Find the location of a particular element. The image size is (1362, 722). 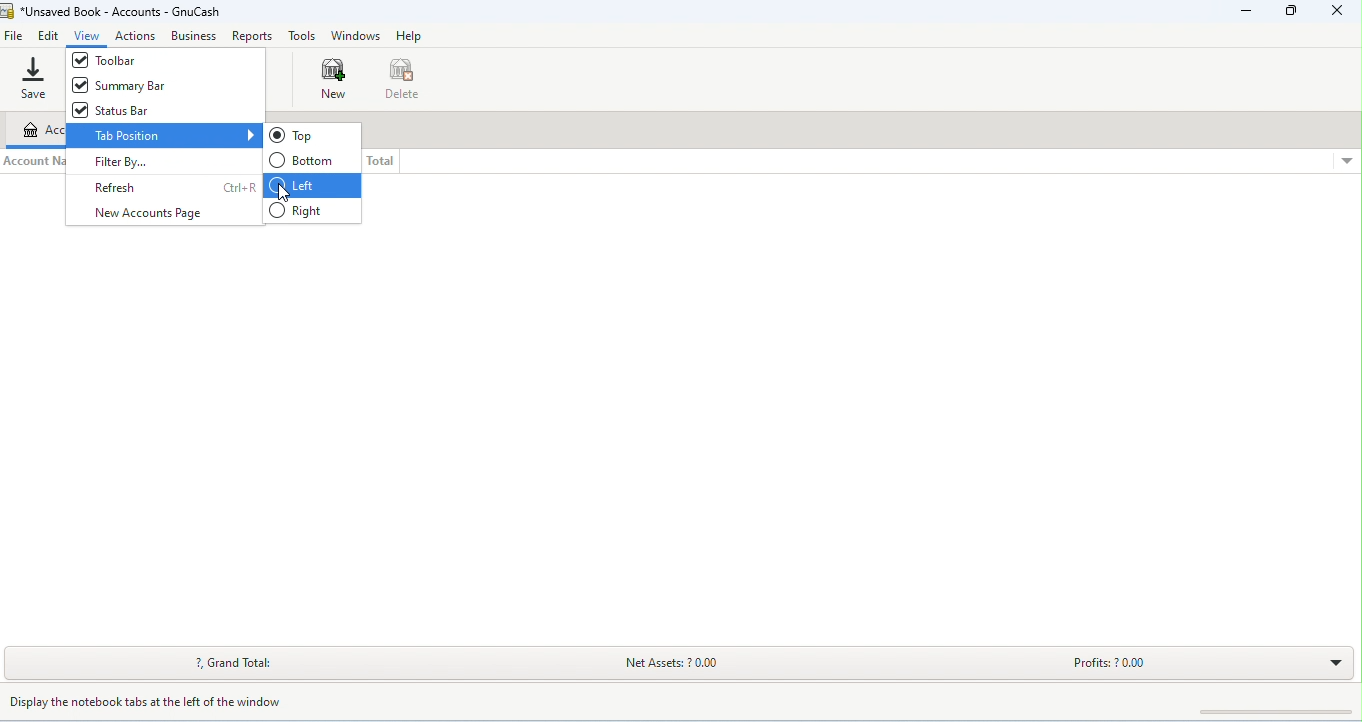

profits is located at coordinates (1112, 664).